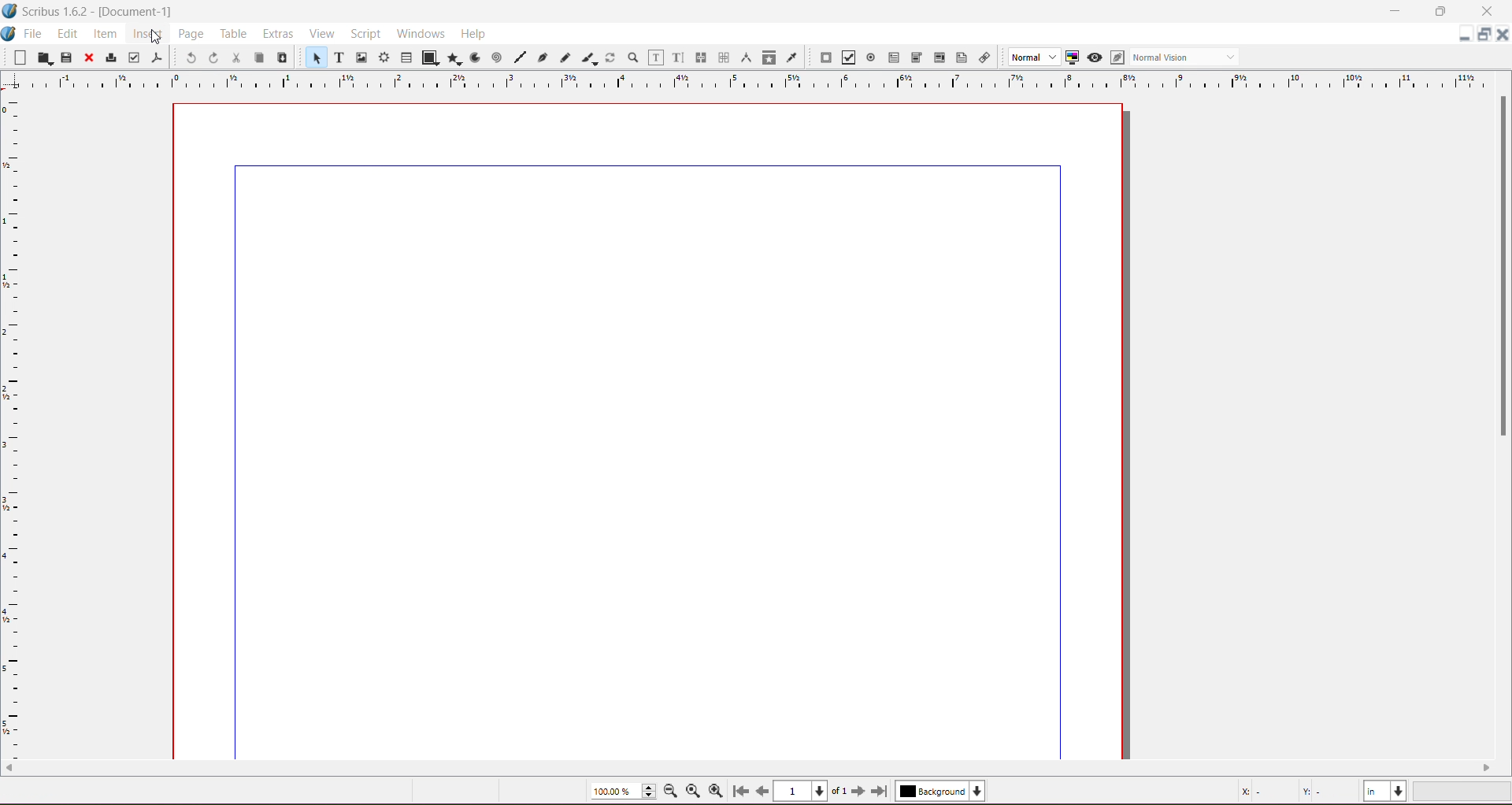  What do you see at coordinates (98, 12) in the screenshot?
I see `Application Name, Version - Document Title` at bounding box center [98, 12].